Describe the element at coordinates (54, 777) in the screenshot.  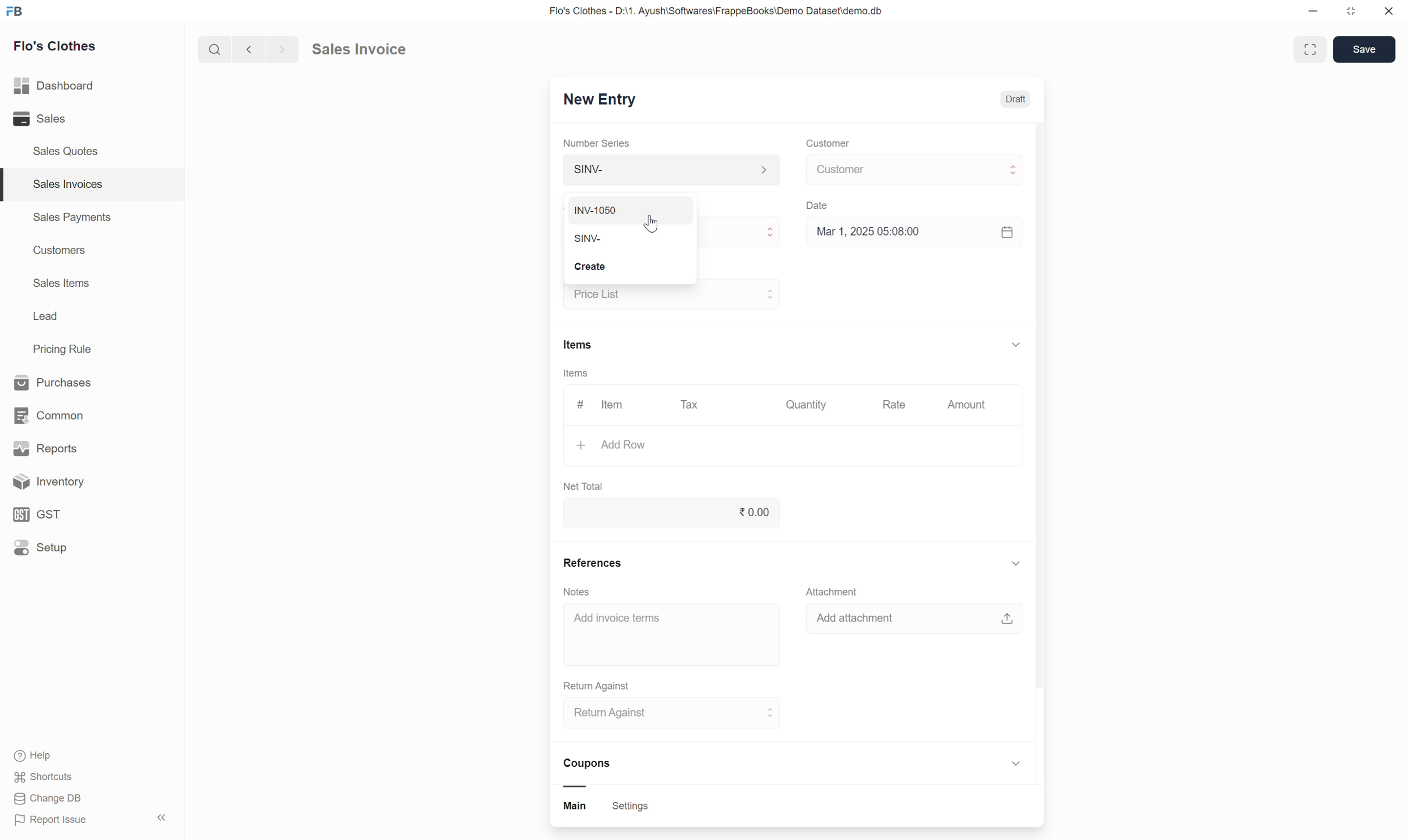
I see `shortcuts ` at that location.